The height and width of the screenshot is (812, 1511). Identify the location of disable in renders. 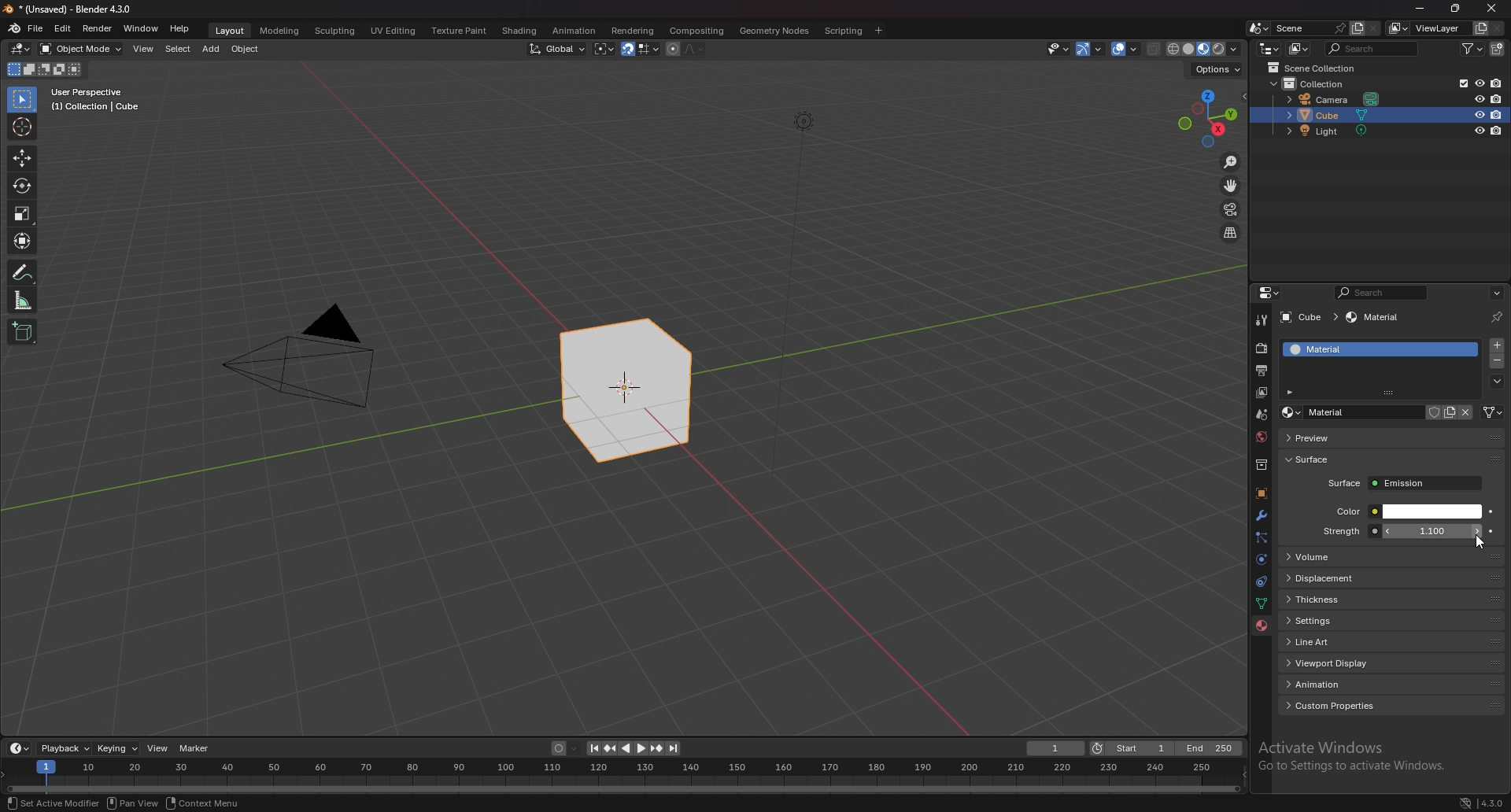
(1498, 114).